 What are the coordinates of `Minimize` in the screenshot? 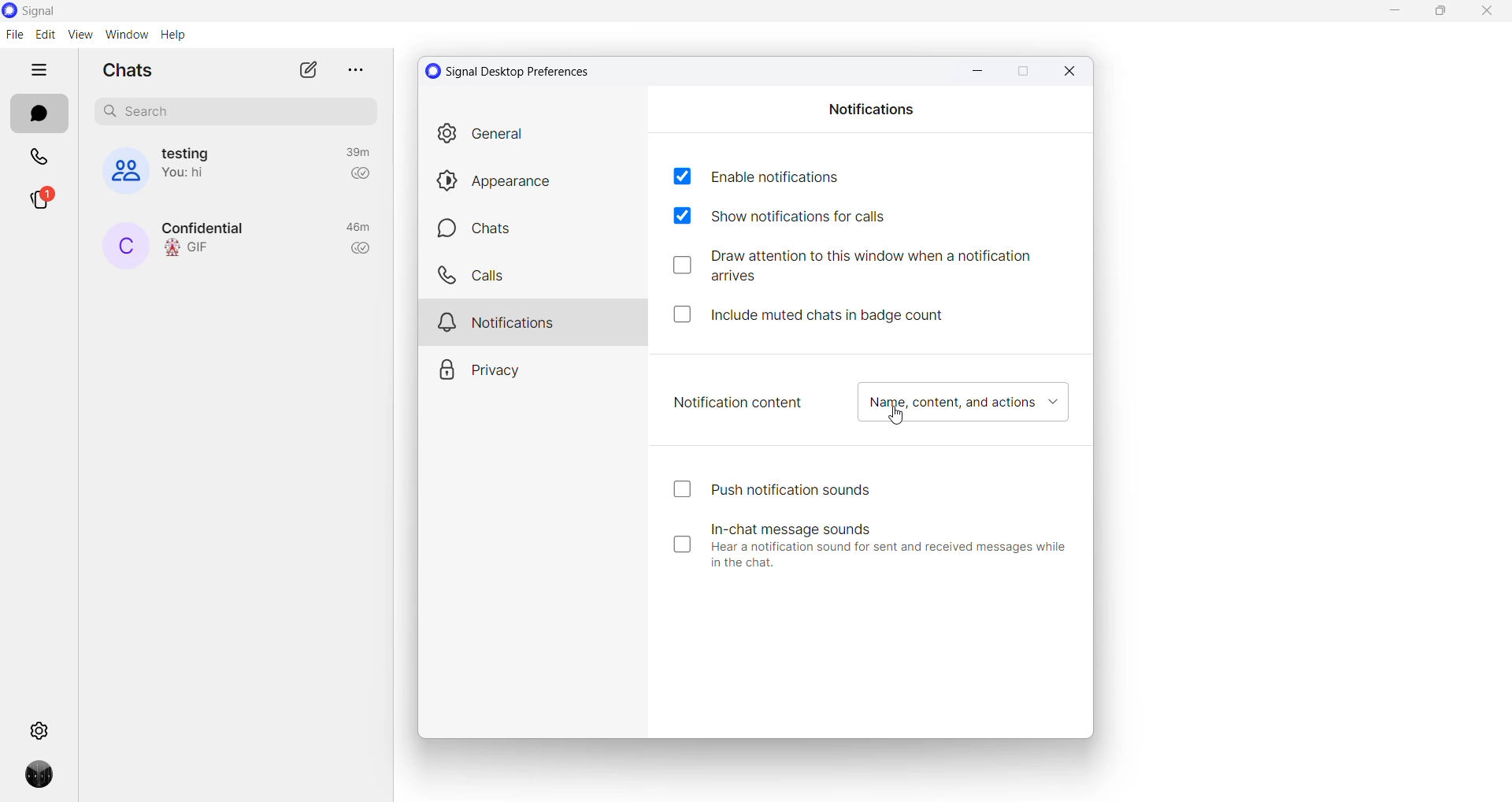 It's located at (973, 69).